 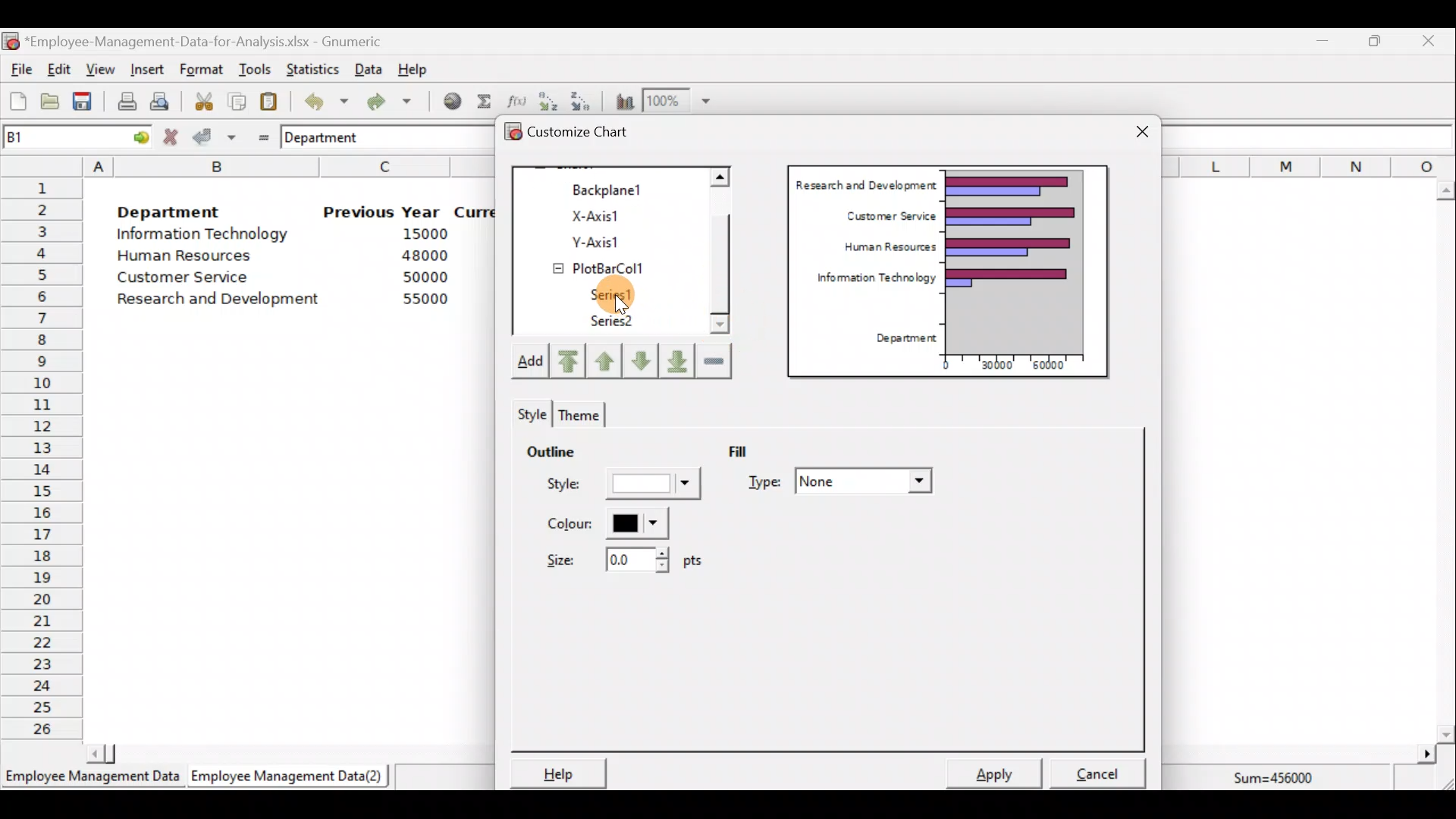 What do you see at coordinates (199, 99) in the screenshot?
I see `Cut the selection` at bounding box center [199, 99].